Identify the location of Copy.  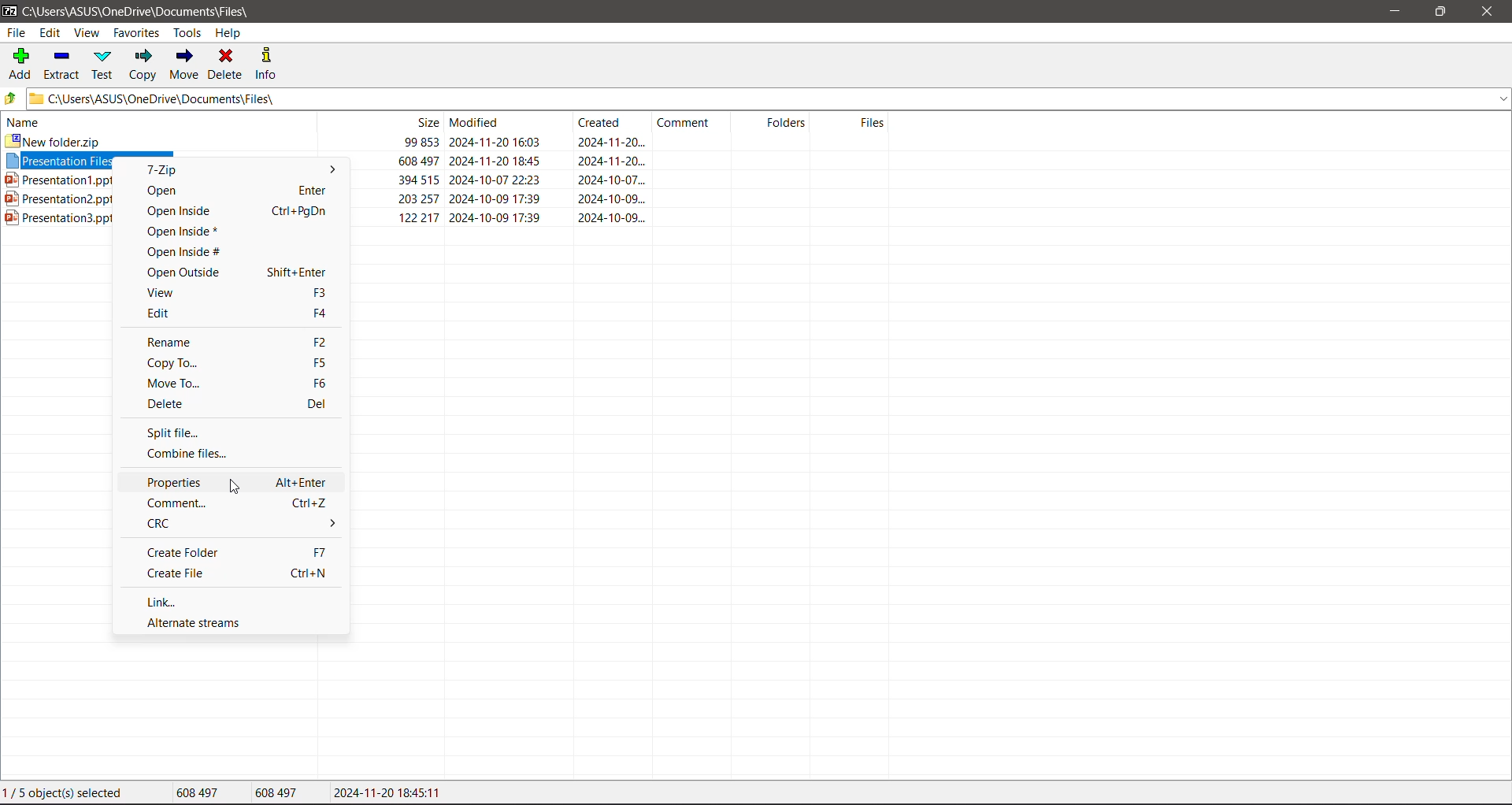
(143, 65).